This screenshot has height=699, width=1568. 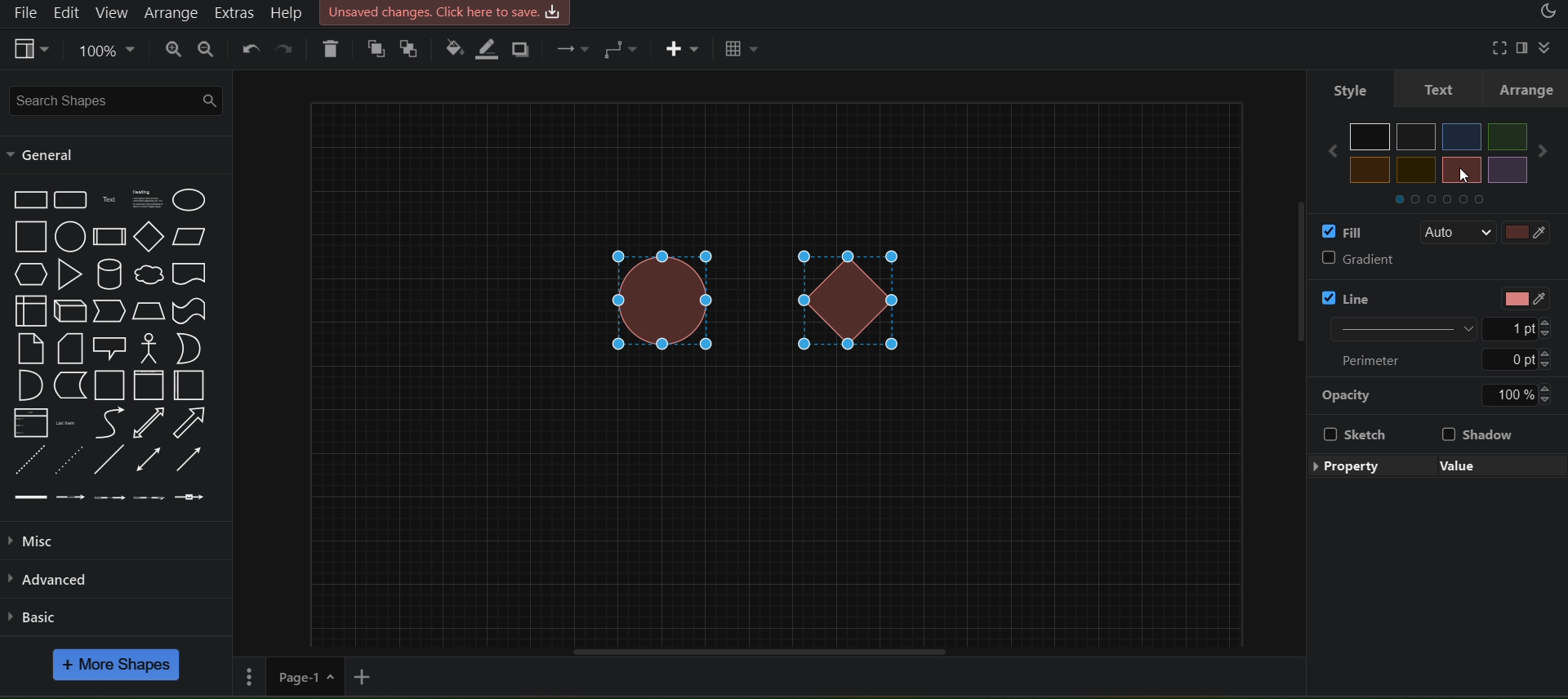 I want to click on shadow, so click(x=1499, y=437).